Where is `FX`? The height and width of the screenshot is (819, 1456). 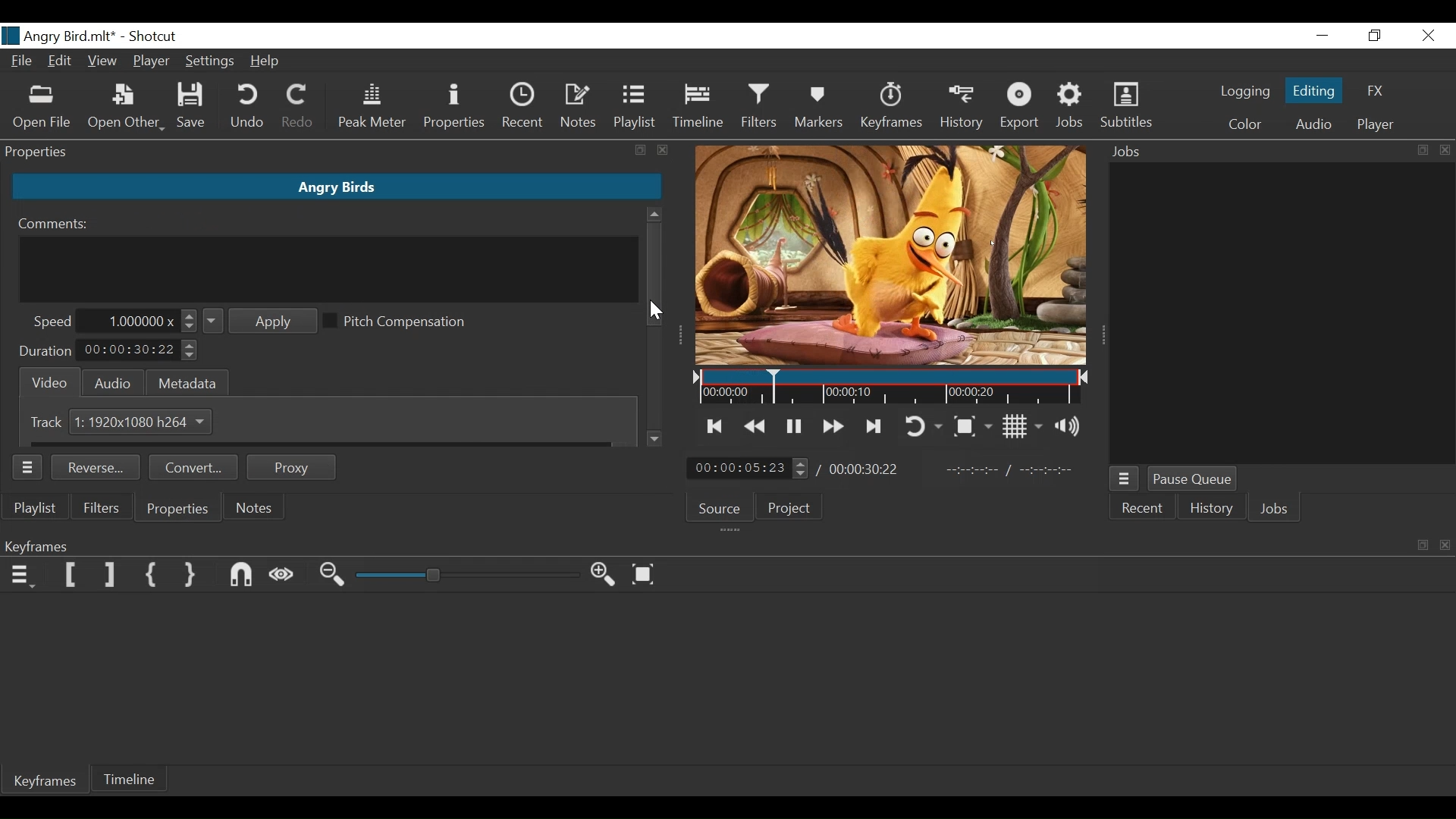
FX is located at coordinates (1378, 89).